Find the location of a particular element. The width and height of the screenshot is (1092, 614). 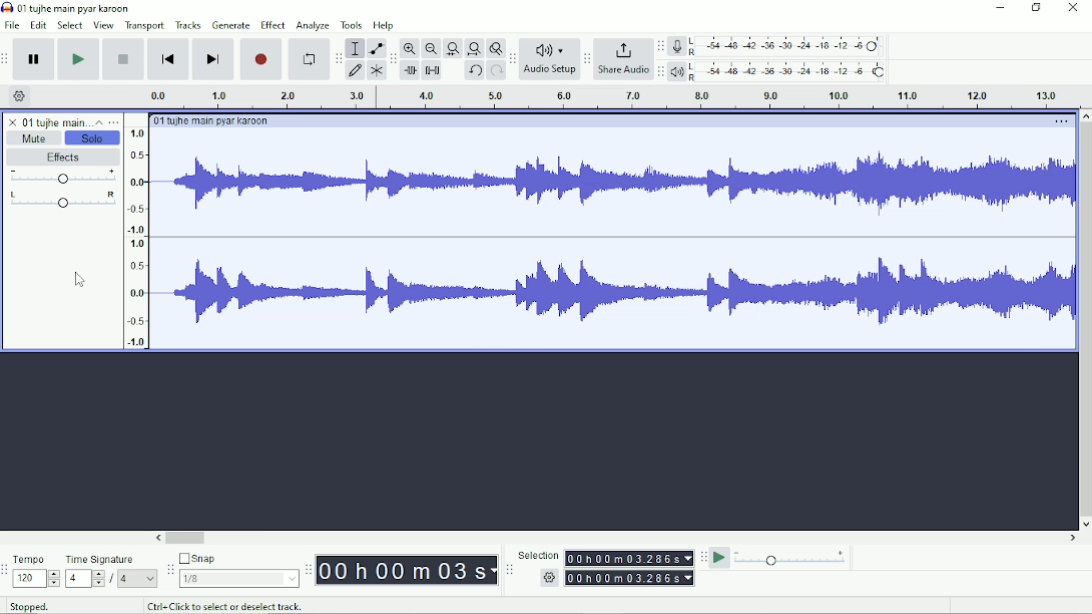

Generate is located at coordinates (232, 25).